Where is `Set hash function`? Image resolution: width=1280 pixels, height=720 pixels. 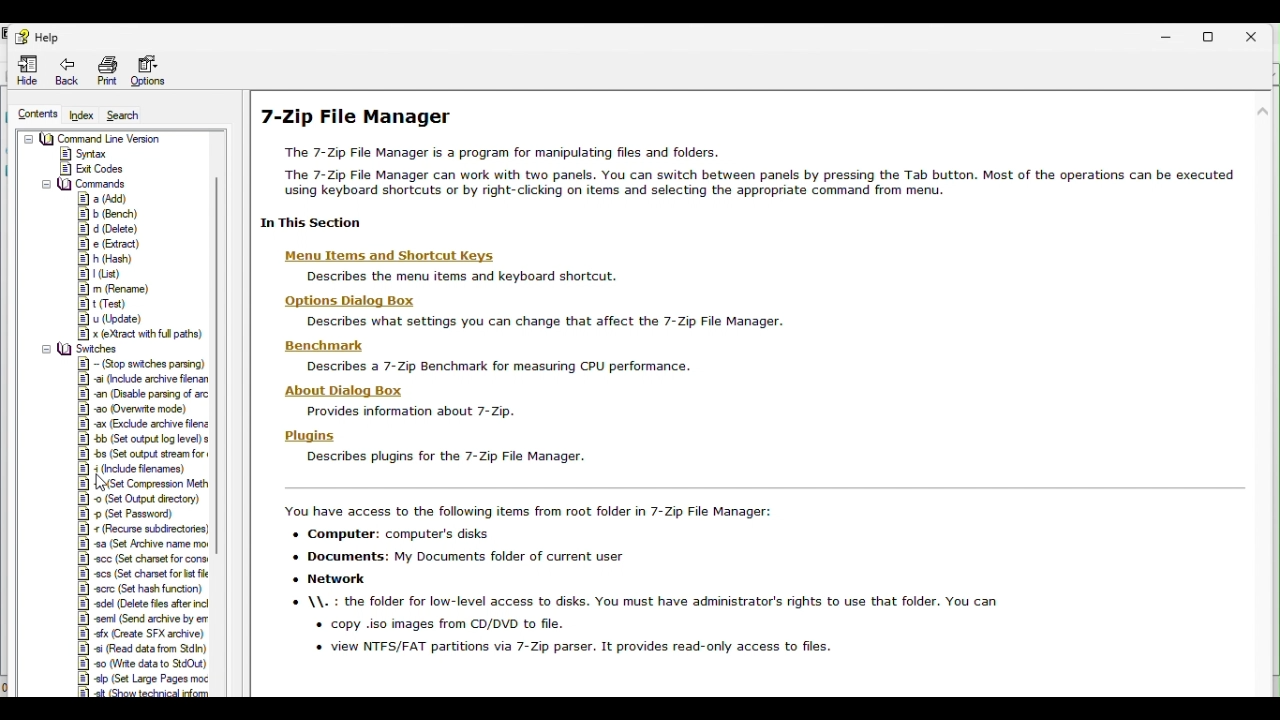 Set hash function is located at coordinates (142, 590).